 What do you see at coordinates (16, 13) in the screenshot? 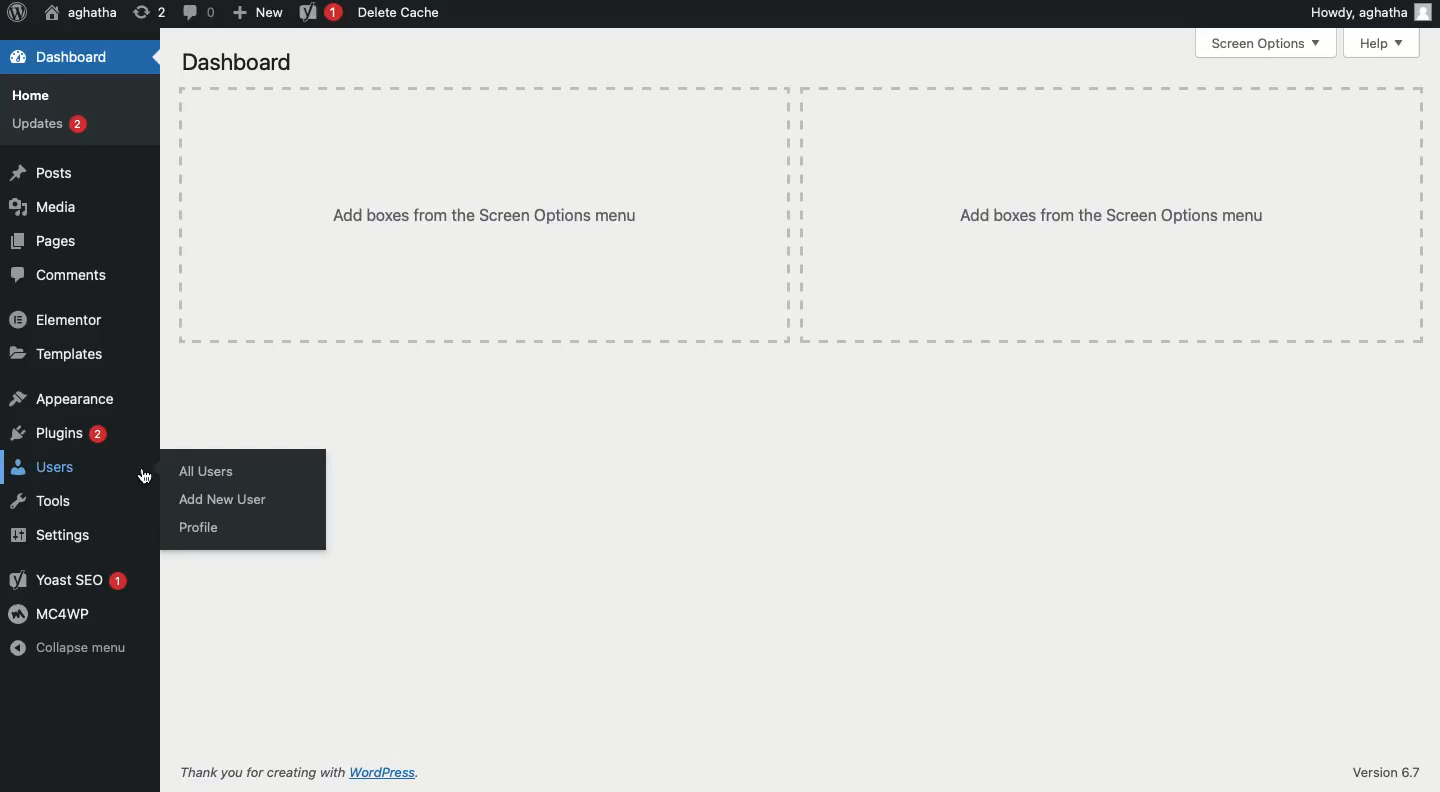
I see `Logo` at bounding box center [16, 13].